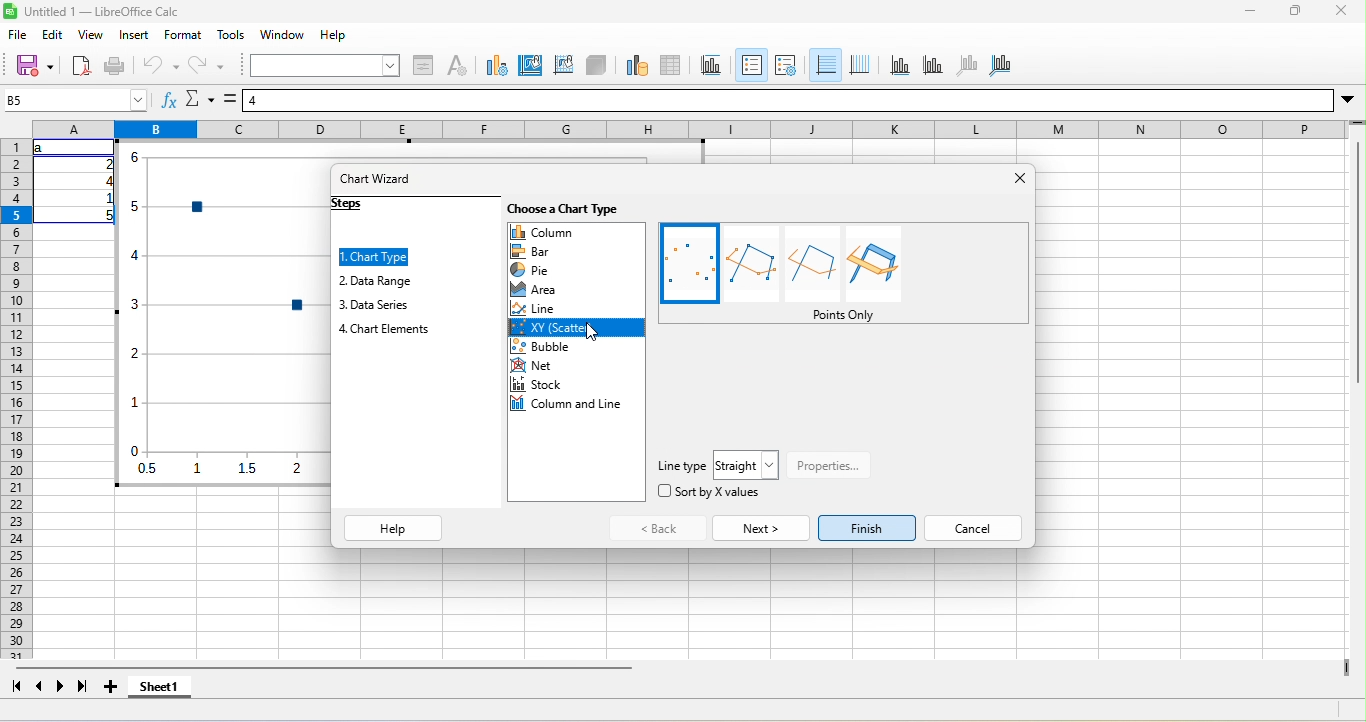 The width and height of the screenshot is (1366, 722). Describe the element at coordinates (900, 67) in the screenshot. I see `x axis` at that location.